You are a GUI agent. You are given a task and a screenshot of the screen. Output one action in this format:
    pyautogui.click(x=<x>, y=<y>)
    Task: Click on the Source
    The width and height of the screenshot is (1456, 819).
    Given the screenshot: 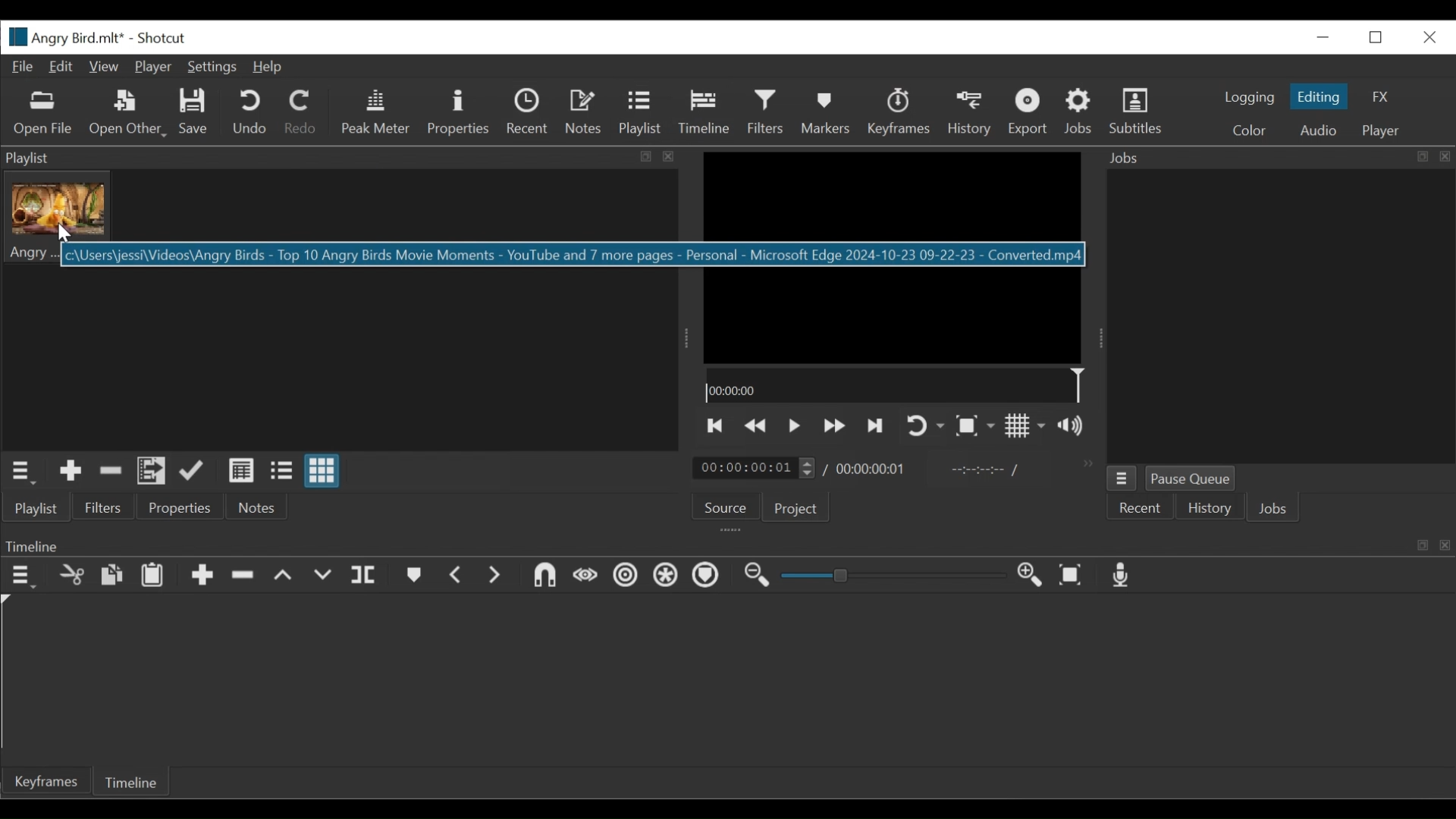 What is the action you would take?
    pyautogui.click(x=726, y=504)
    